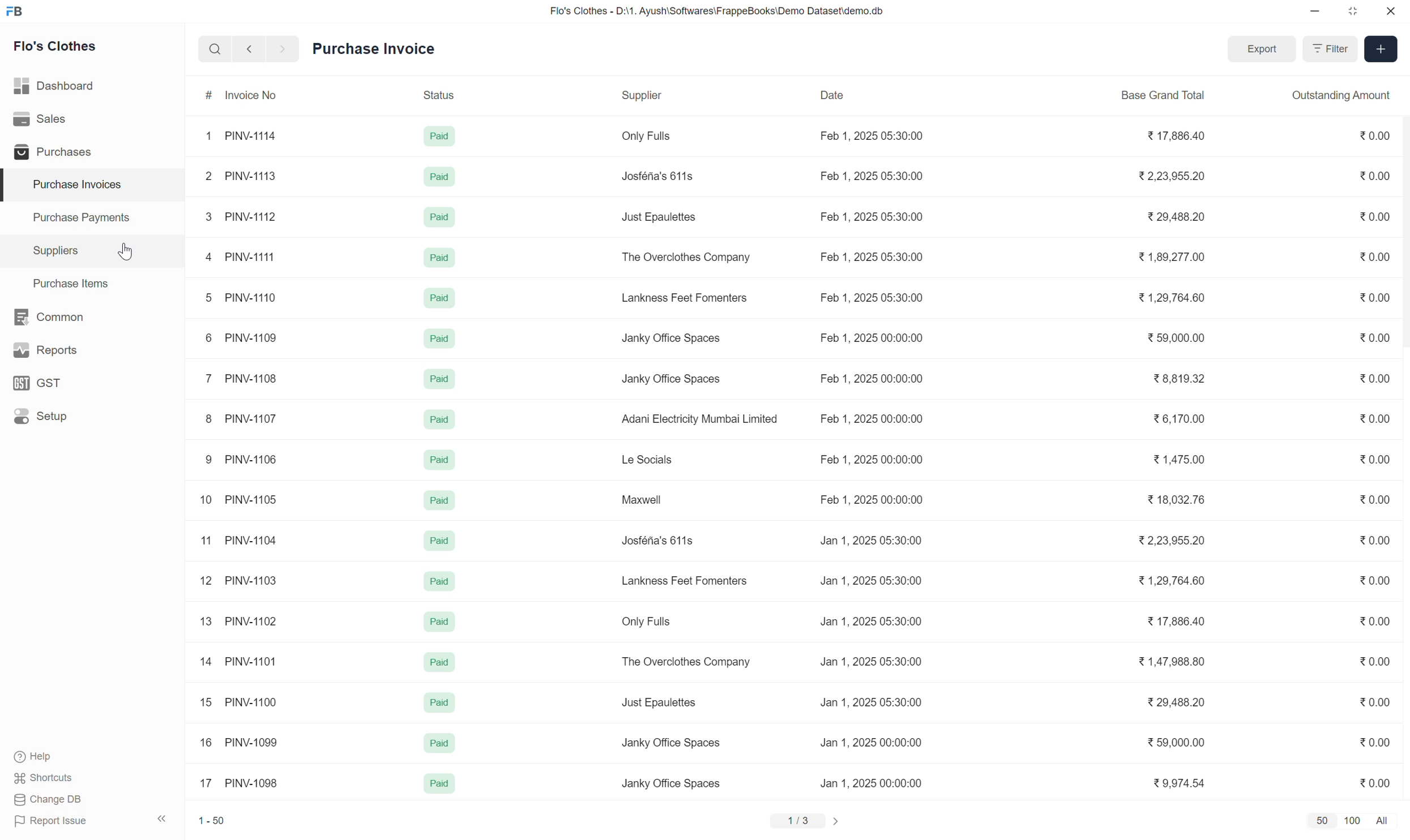 This screenshot has height=840, width=1410. What do you see at coordinates (239, 540) in the screenshot?
I see `11 PINV-1104` at bounding box center [239, 540].